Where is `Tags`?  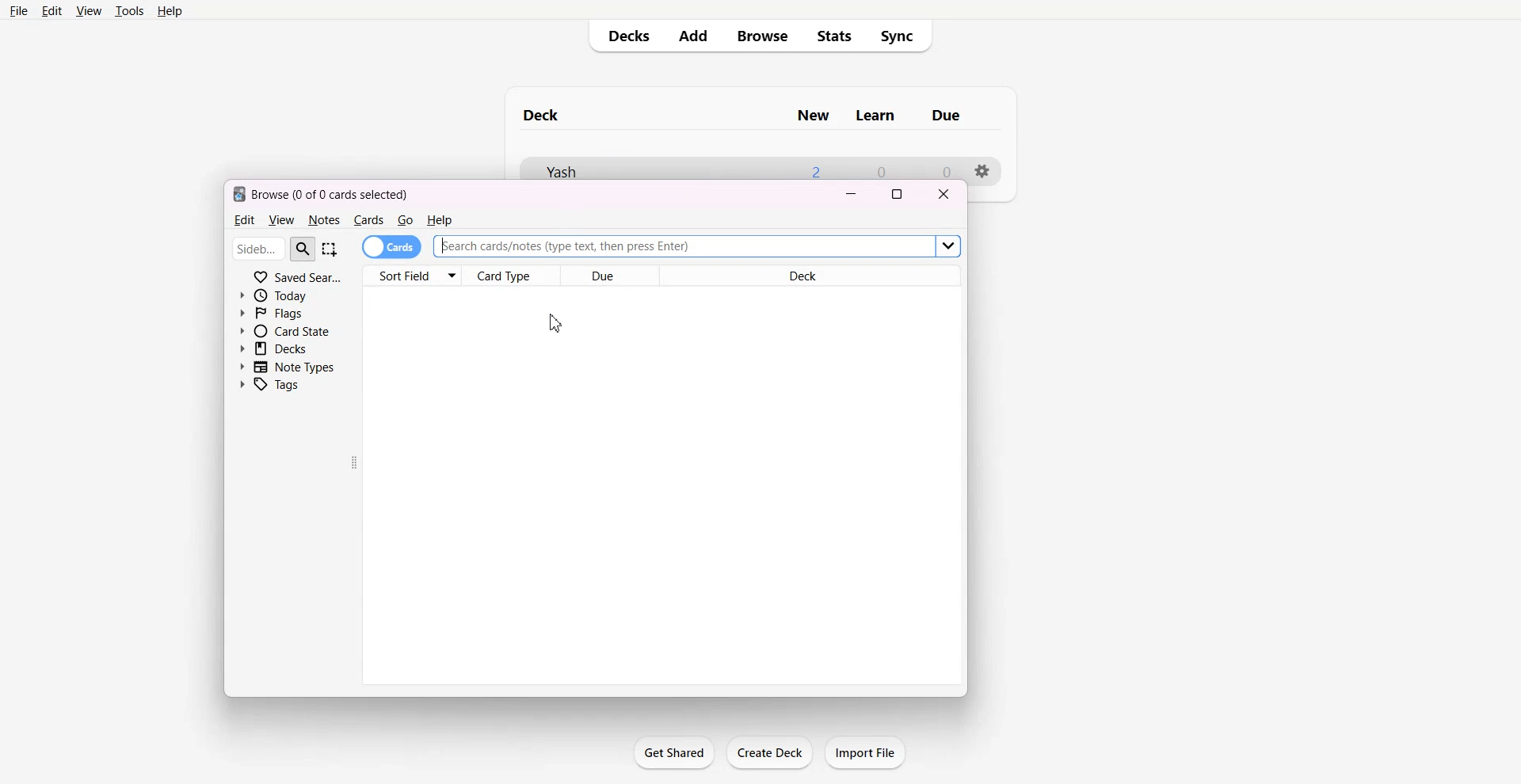 Tags is located at coordinates (276, 384).